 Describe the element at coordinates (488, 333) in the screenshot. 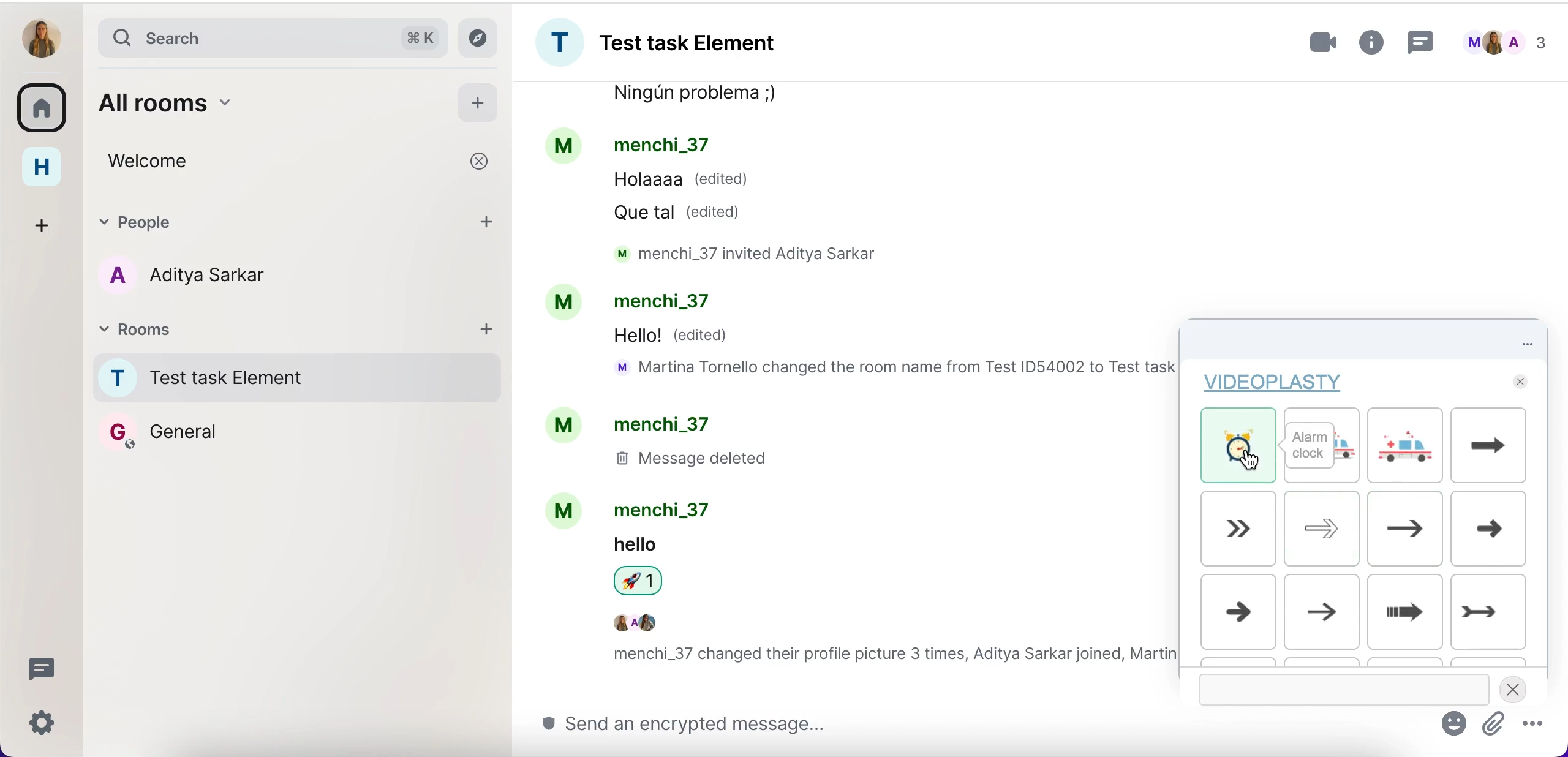

I see `add` at that location.